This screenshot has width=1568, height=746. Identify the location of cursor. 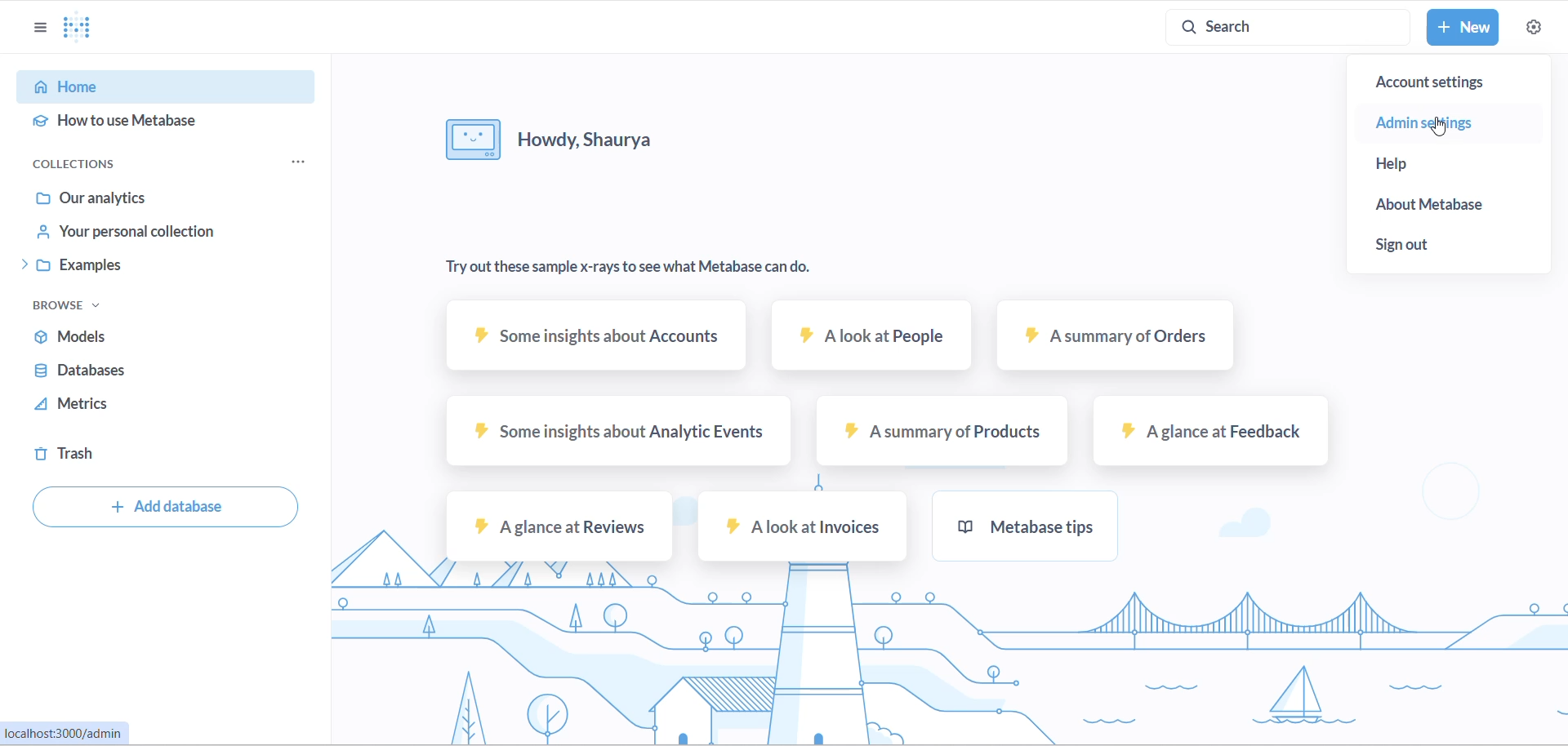
(1438, 127).